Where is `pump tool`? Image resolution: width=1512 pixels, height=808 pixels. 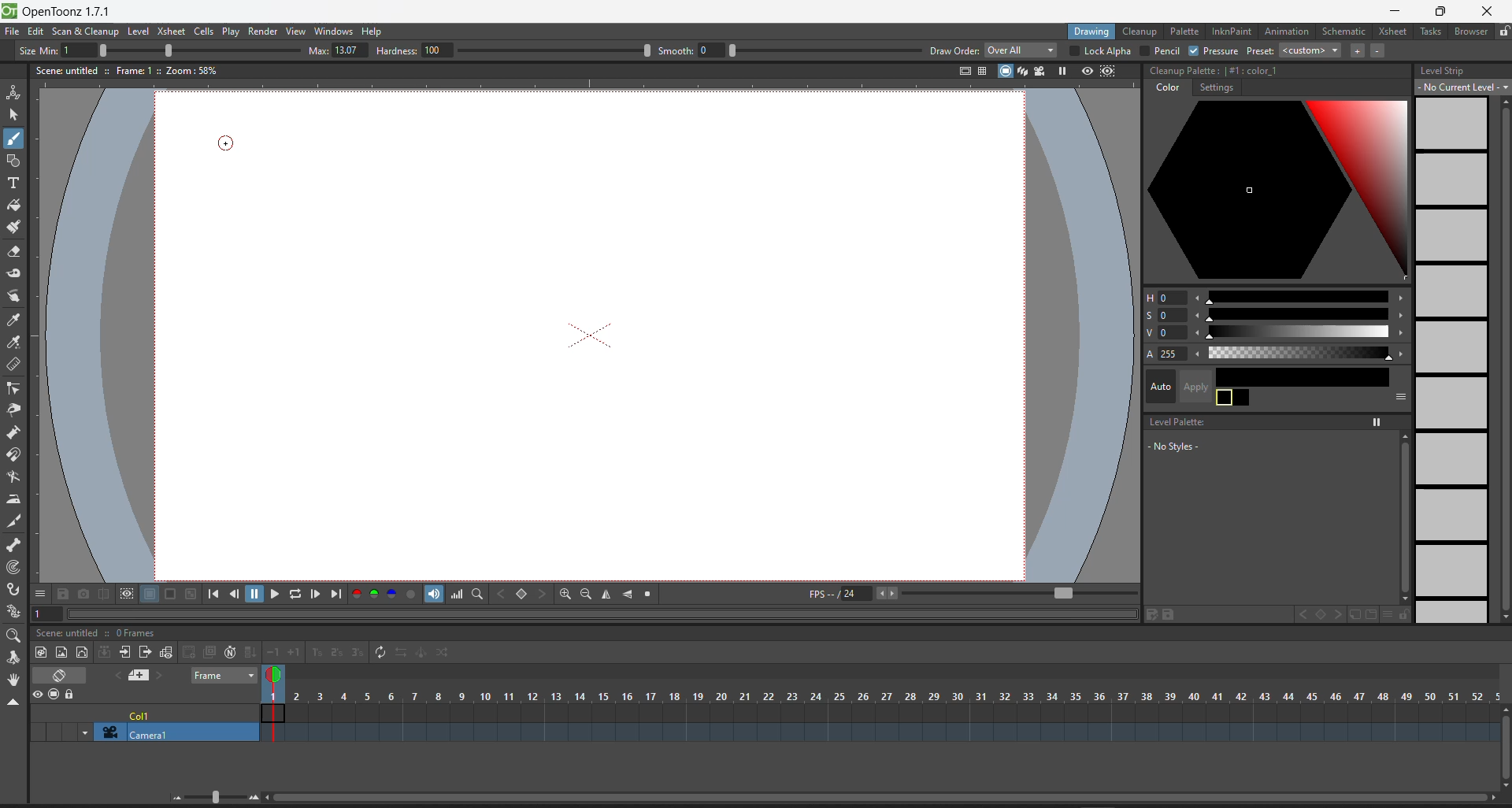
pump tool is located at coordinates (13, 433).